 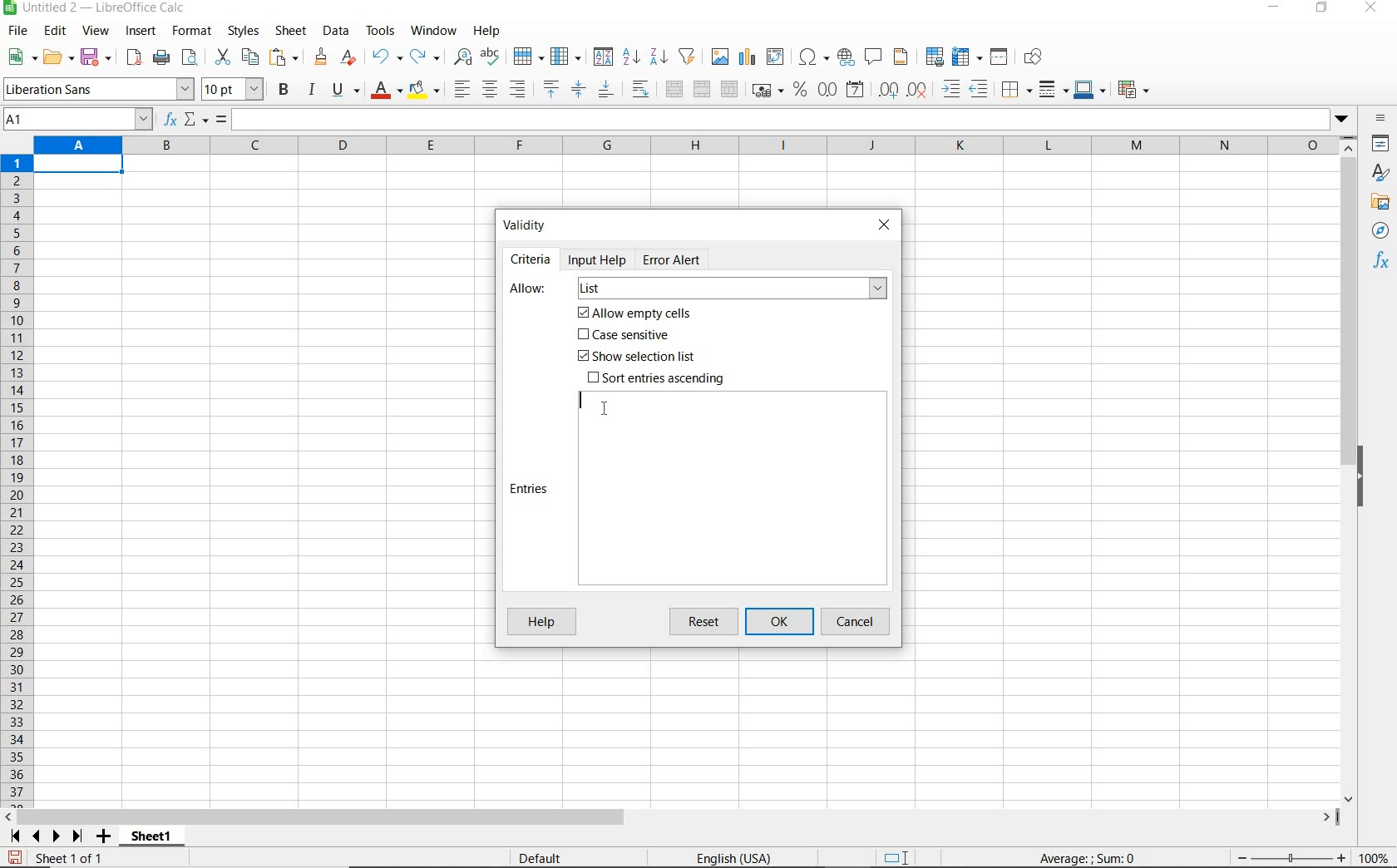 I want to click on paste, so click(x=286, y=59).